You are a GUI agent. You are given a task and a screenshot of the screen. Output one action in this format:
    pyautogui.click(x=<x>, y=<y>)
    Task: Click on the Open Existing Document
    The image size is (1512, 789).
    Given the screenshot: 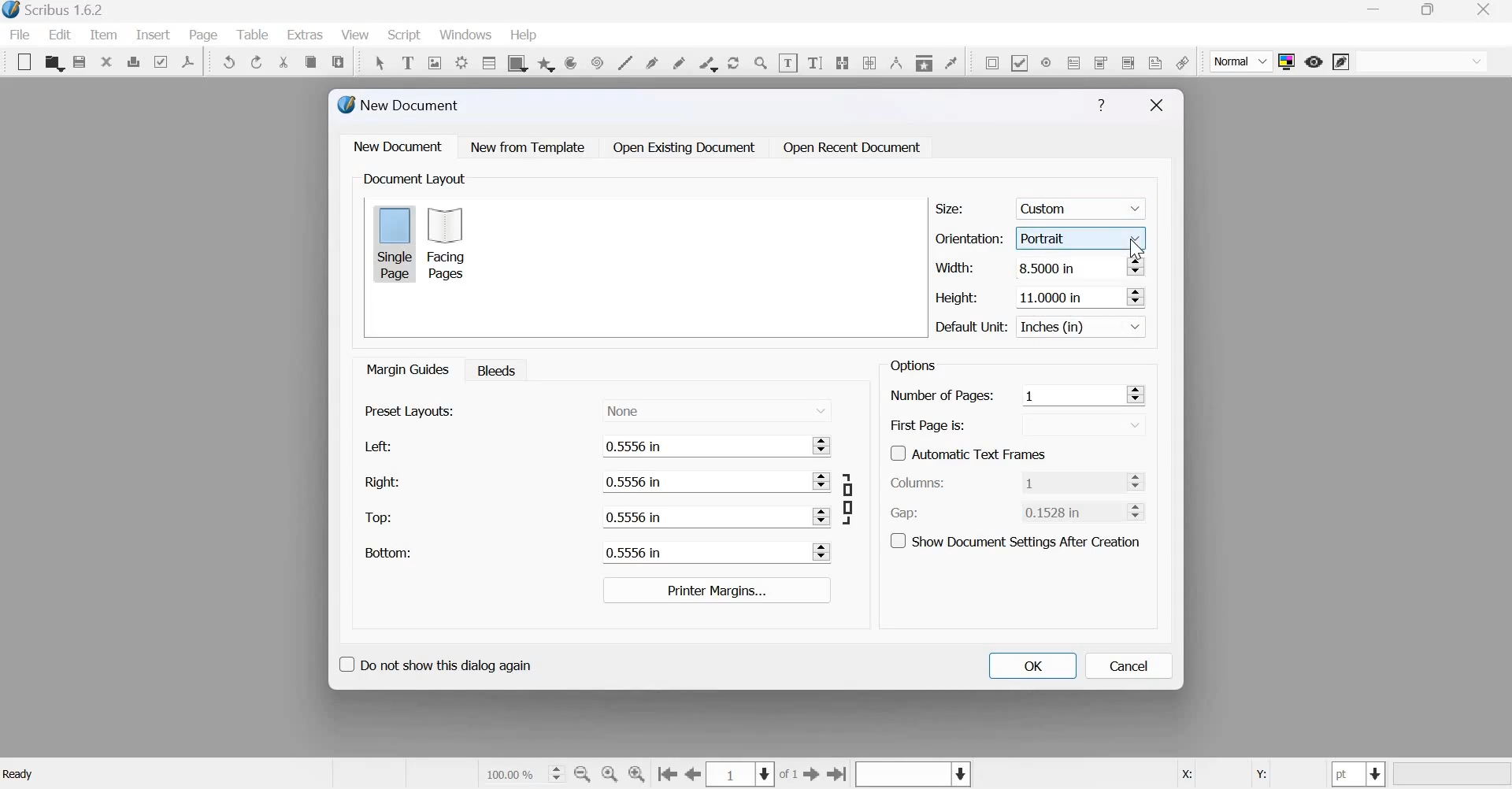 What is the action you would take?
    pyautogui.click(x=683, y=147)
    